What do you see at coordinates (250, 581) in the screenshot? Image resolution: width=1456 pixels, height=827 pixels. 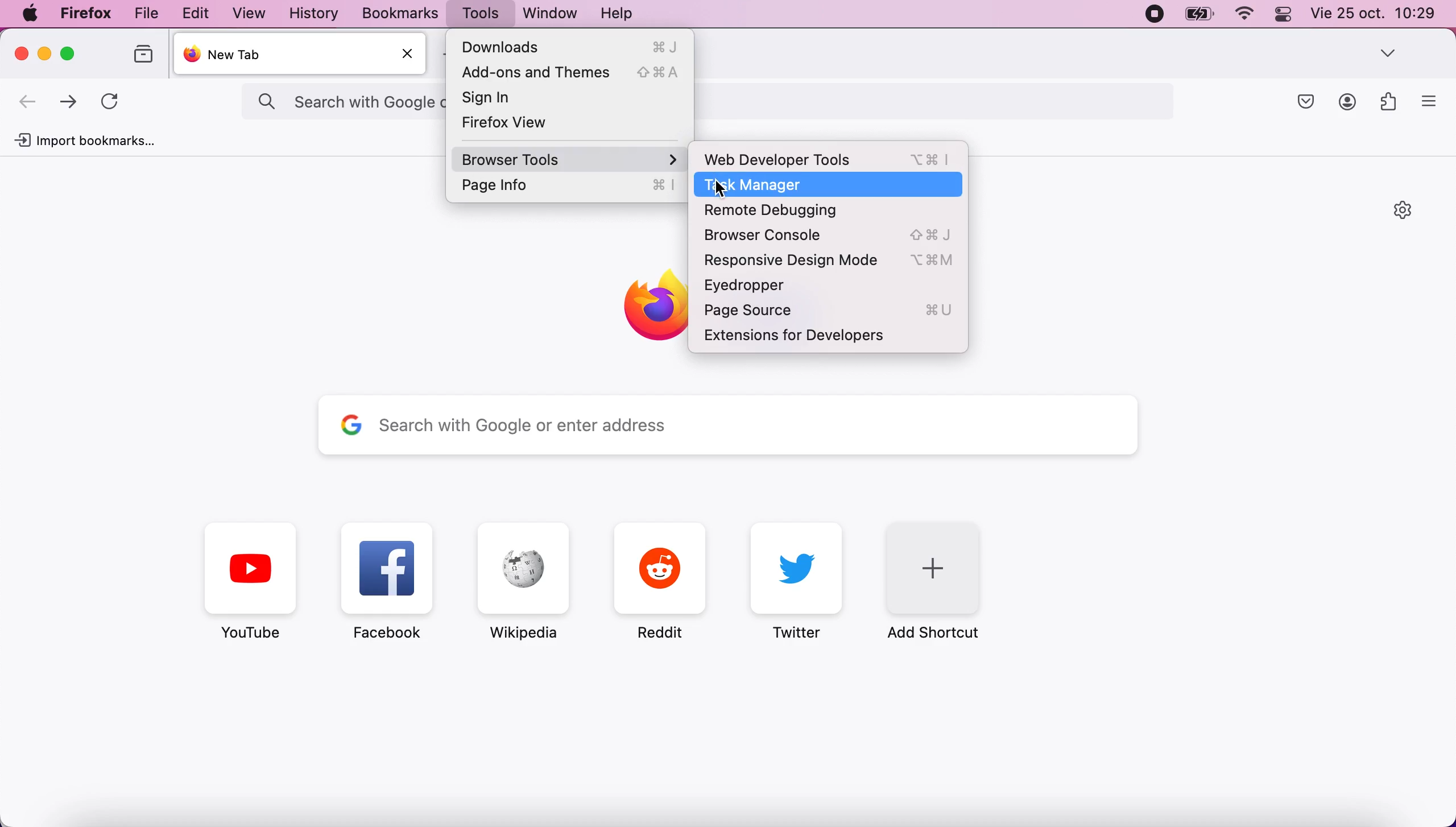 I see `Youtube` at bounding box center [250, 581].